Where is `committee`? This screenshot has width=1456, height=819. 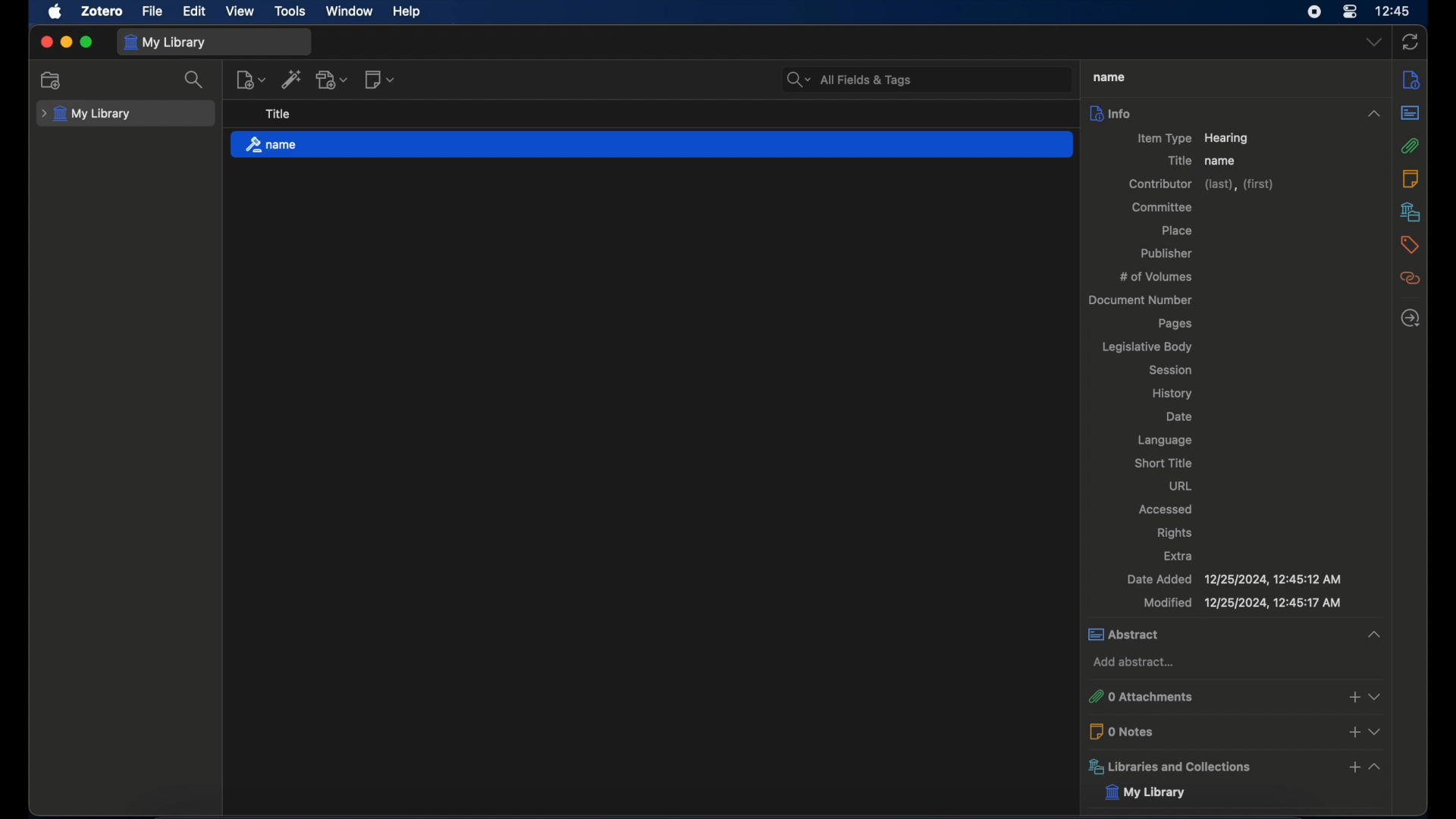 committee is located at coordinates (1162, 207).